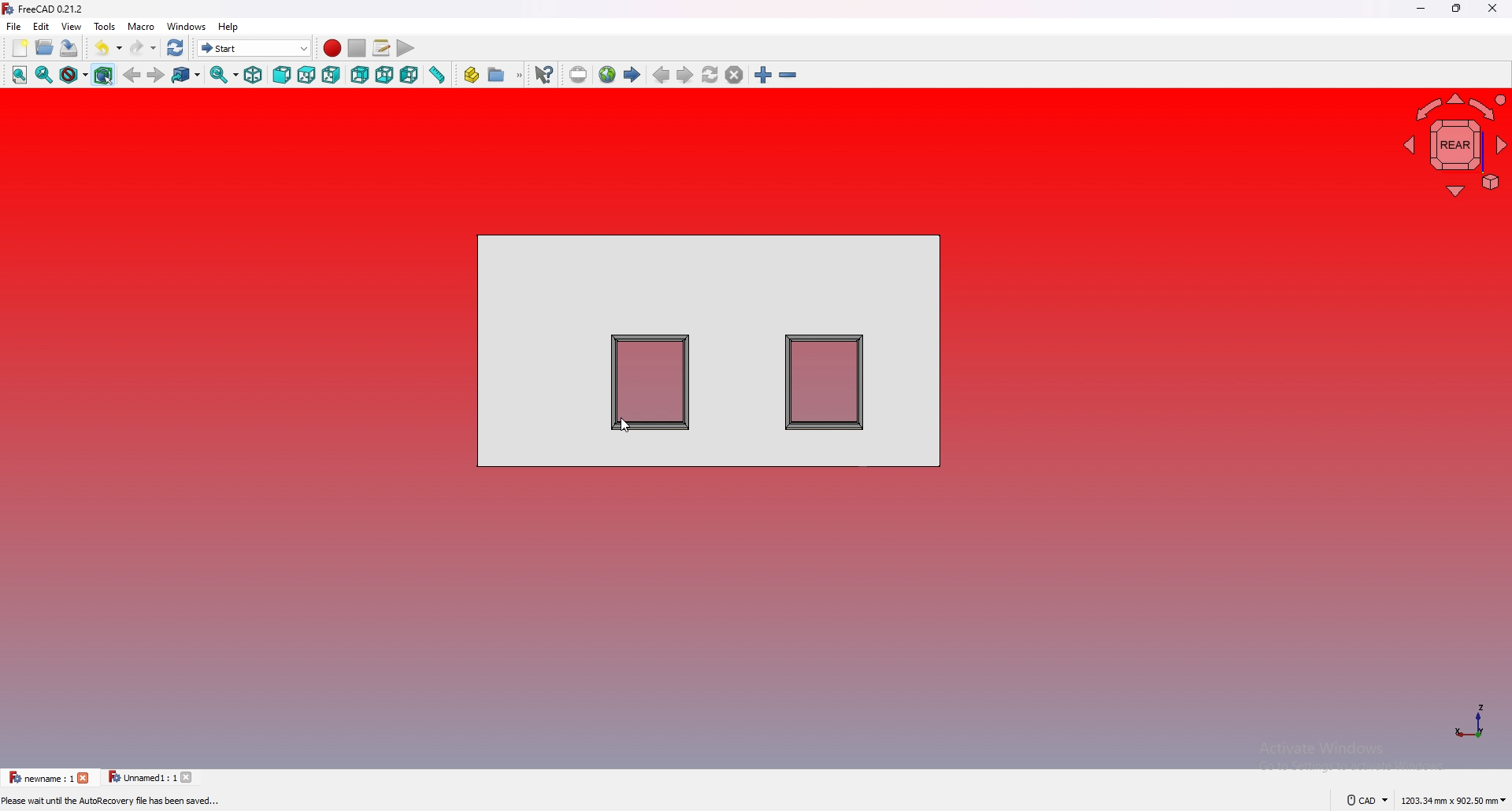 The height and width of the screenshot is (811, 1512). What do you see at coordinates (506, 75) in the screenshot?
I see `make group` at bounding box center [506, 75].